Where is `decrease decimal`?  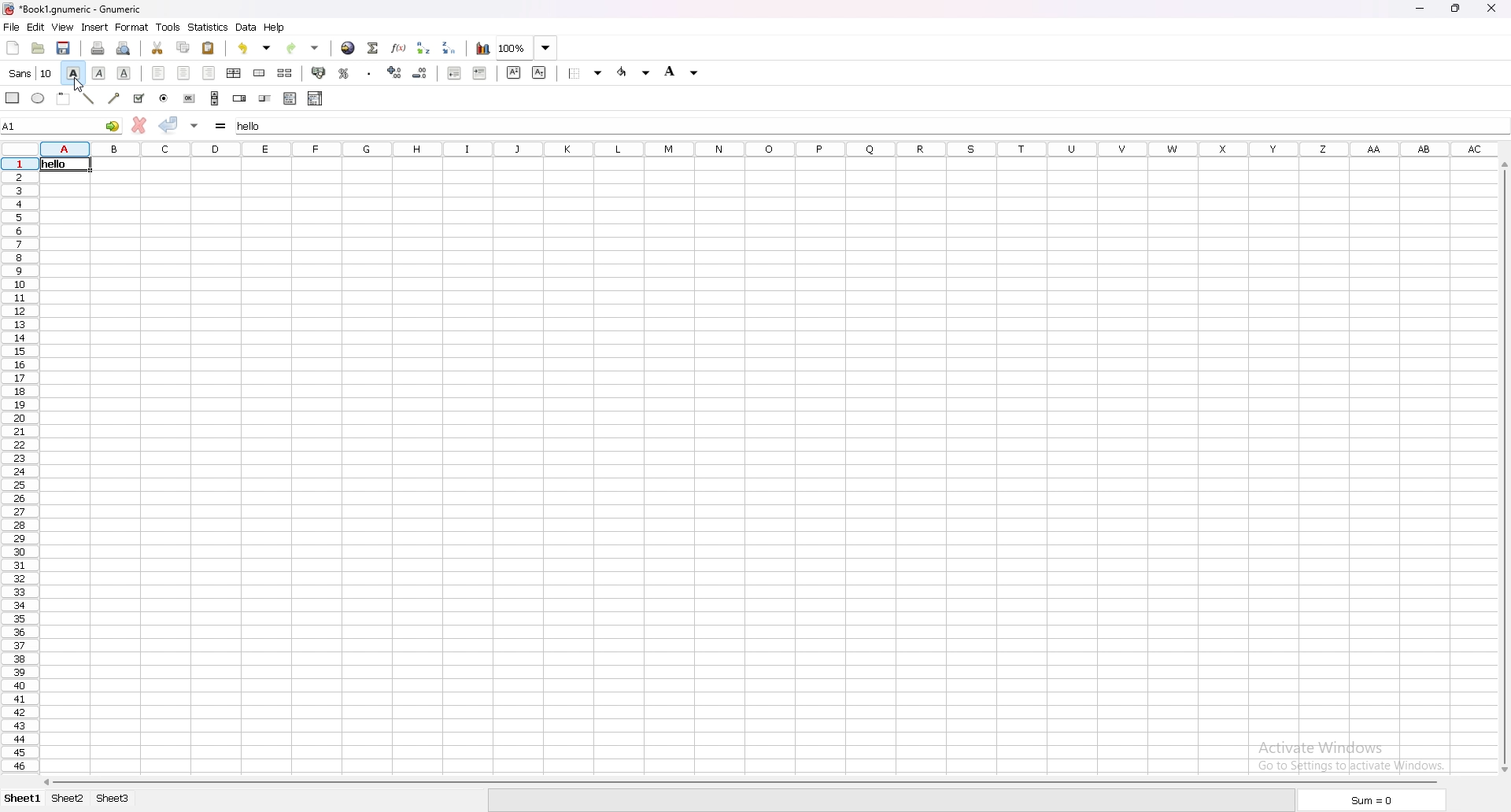 decrease decimal is located at coordinates (419, 73).